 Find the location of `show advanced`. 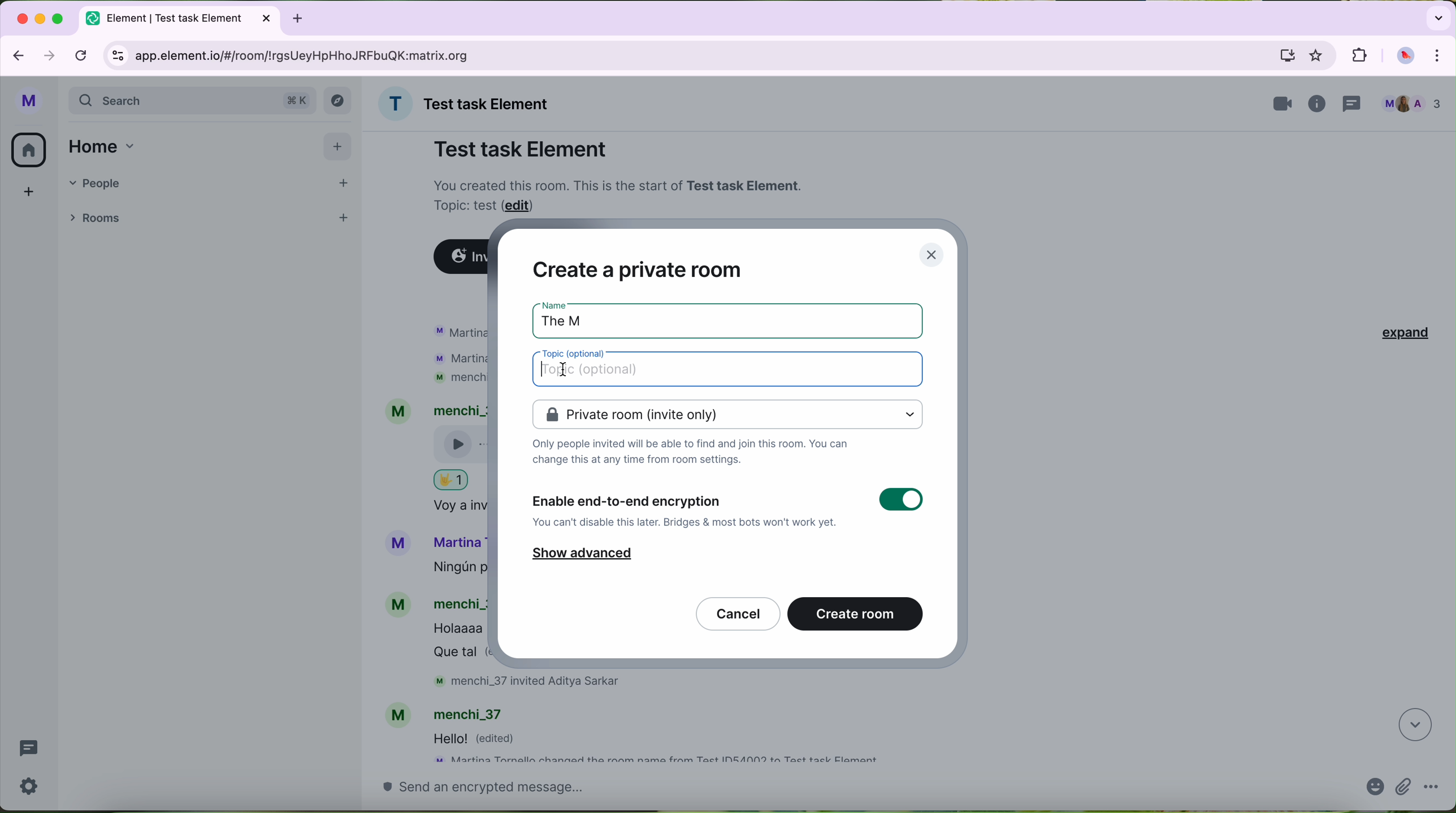

show advanced is located at coordinates (582, 556).